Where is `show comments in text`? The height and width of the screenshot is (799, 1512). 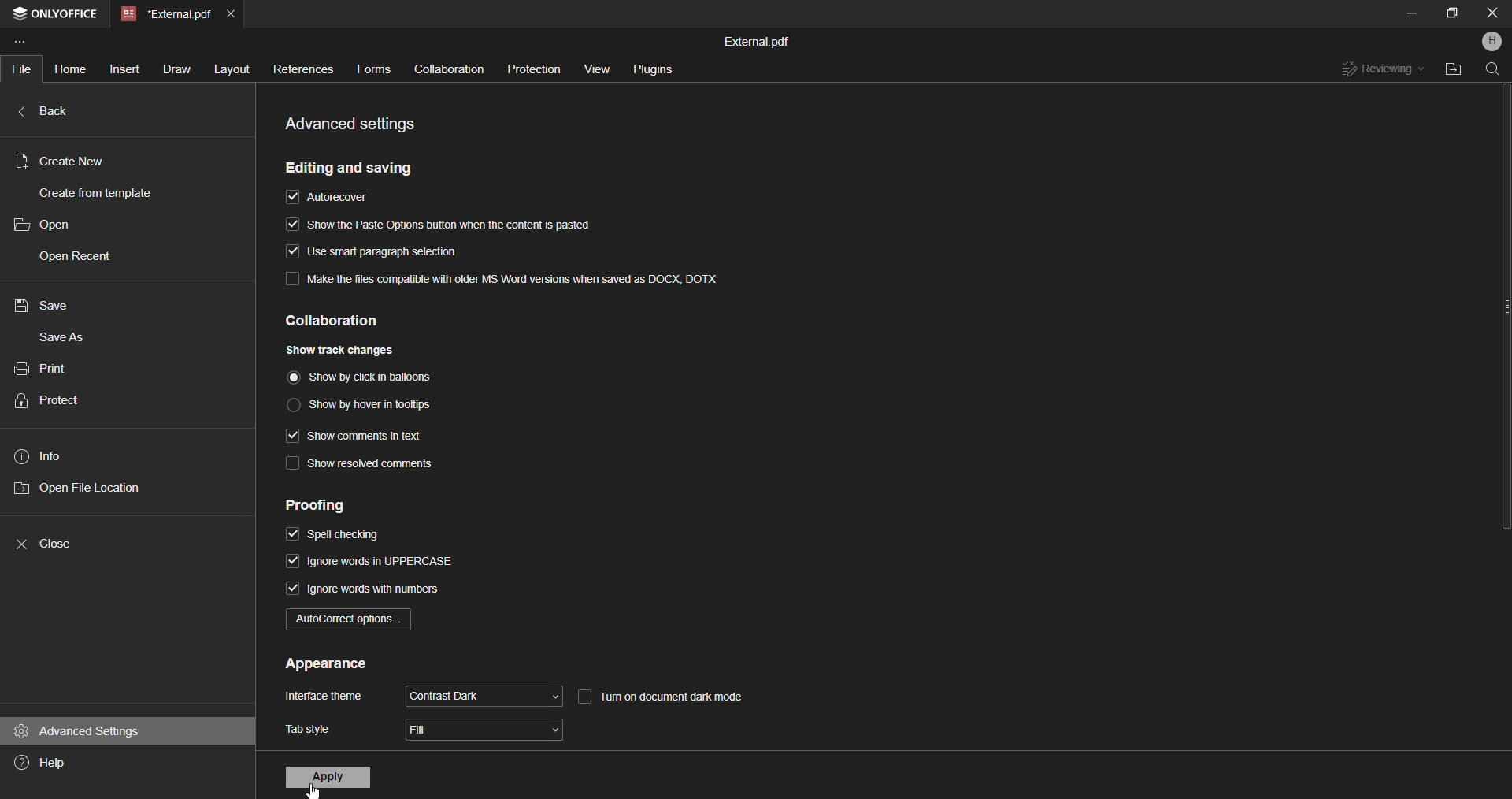
show comments in text is located at coordinates (358, 436).